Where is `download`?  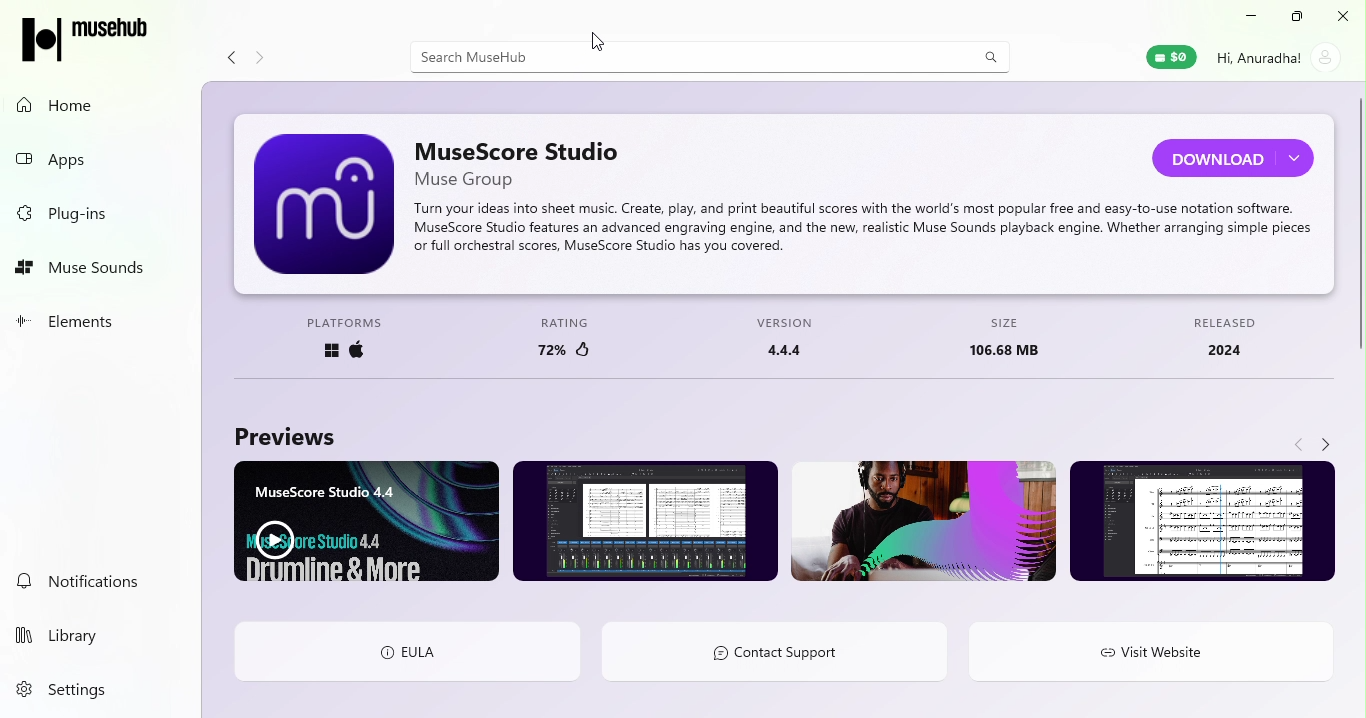 download is located at coordinates (1234, 156).